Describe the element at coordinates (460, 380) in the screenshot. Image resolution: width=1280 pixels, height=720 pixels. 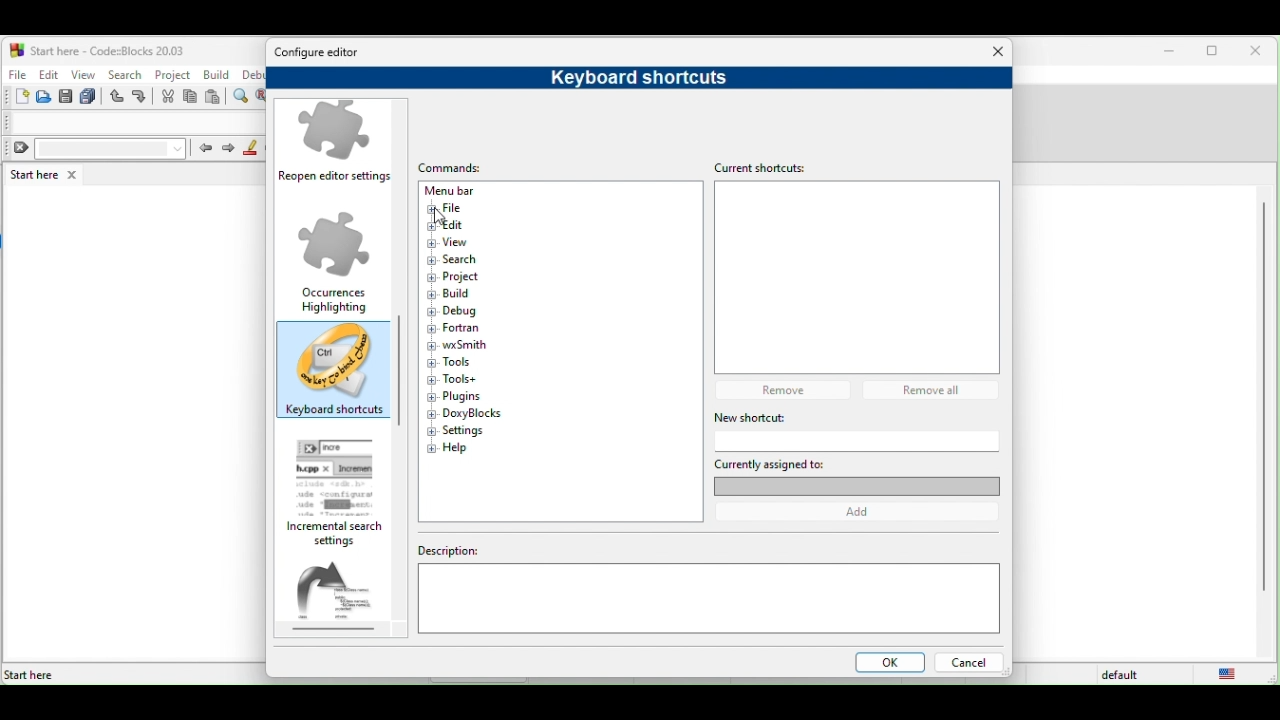
I see `tool+` at that location.